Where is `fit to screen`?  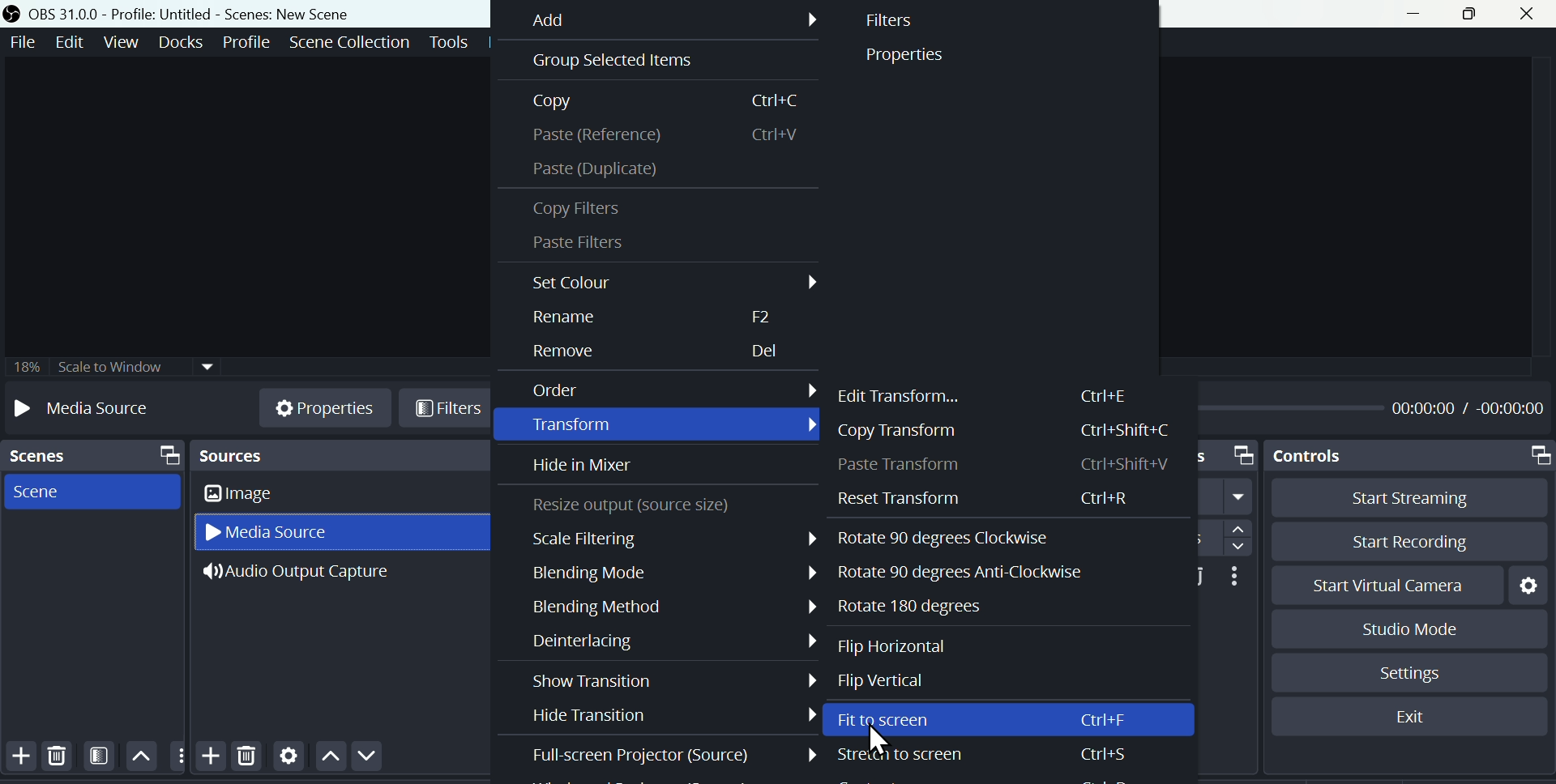
fit to screen is located at coordinates (895, 722).